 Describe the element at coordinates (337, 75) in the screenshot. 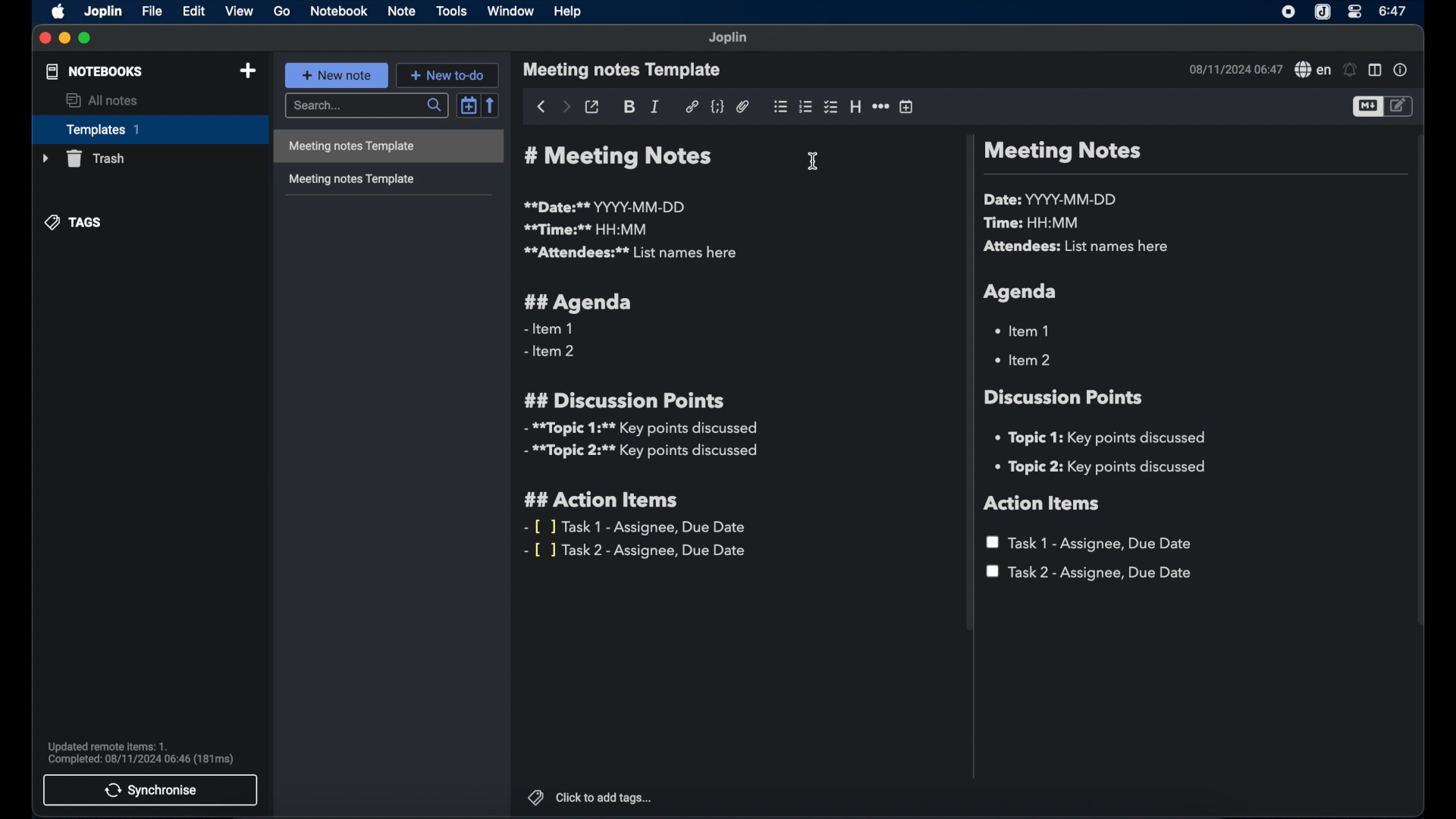

I see `new note` at that location.